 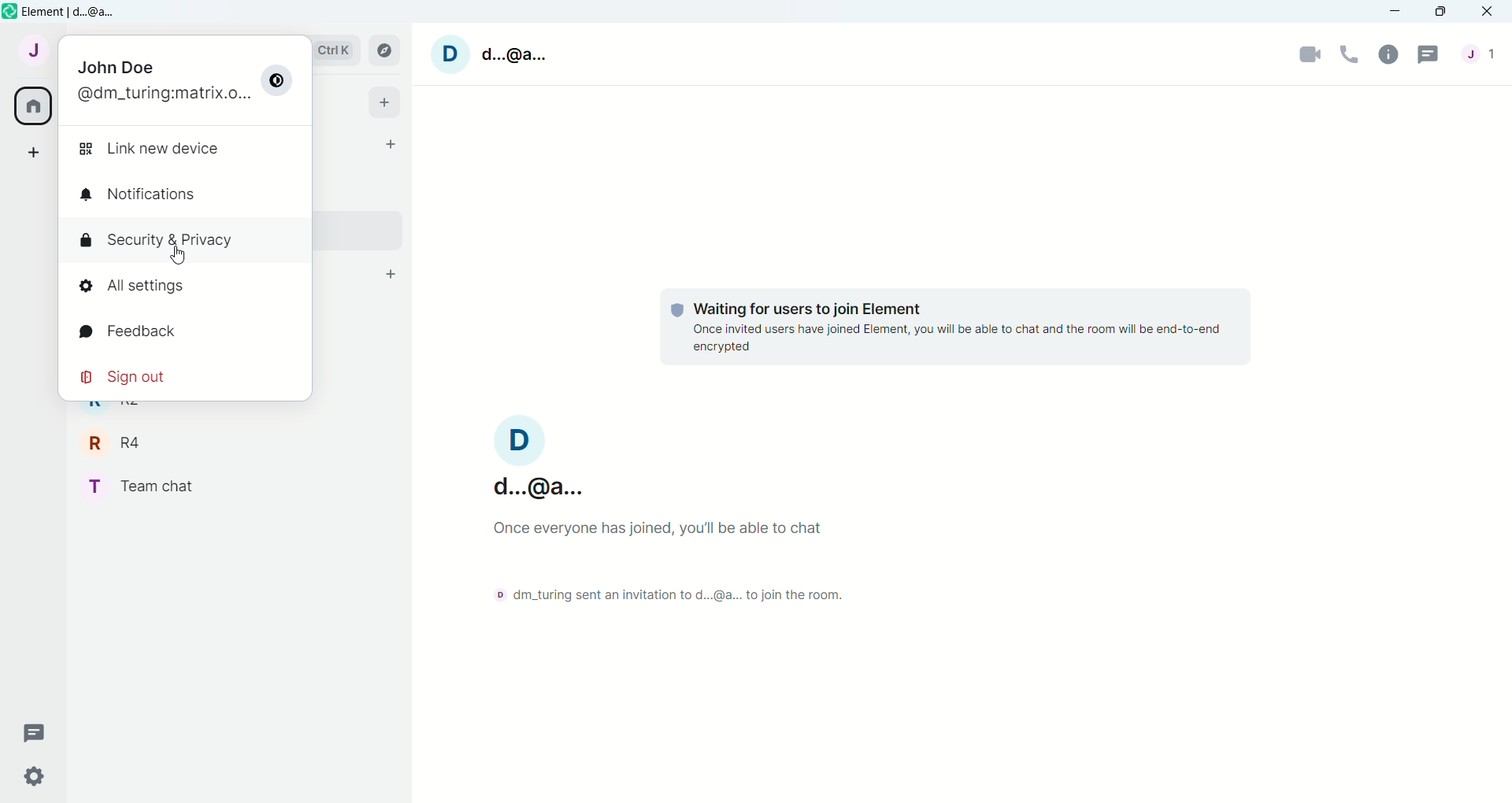 I want to click on Element | d..@a..., so click(x=73, y=13).